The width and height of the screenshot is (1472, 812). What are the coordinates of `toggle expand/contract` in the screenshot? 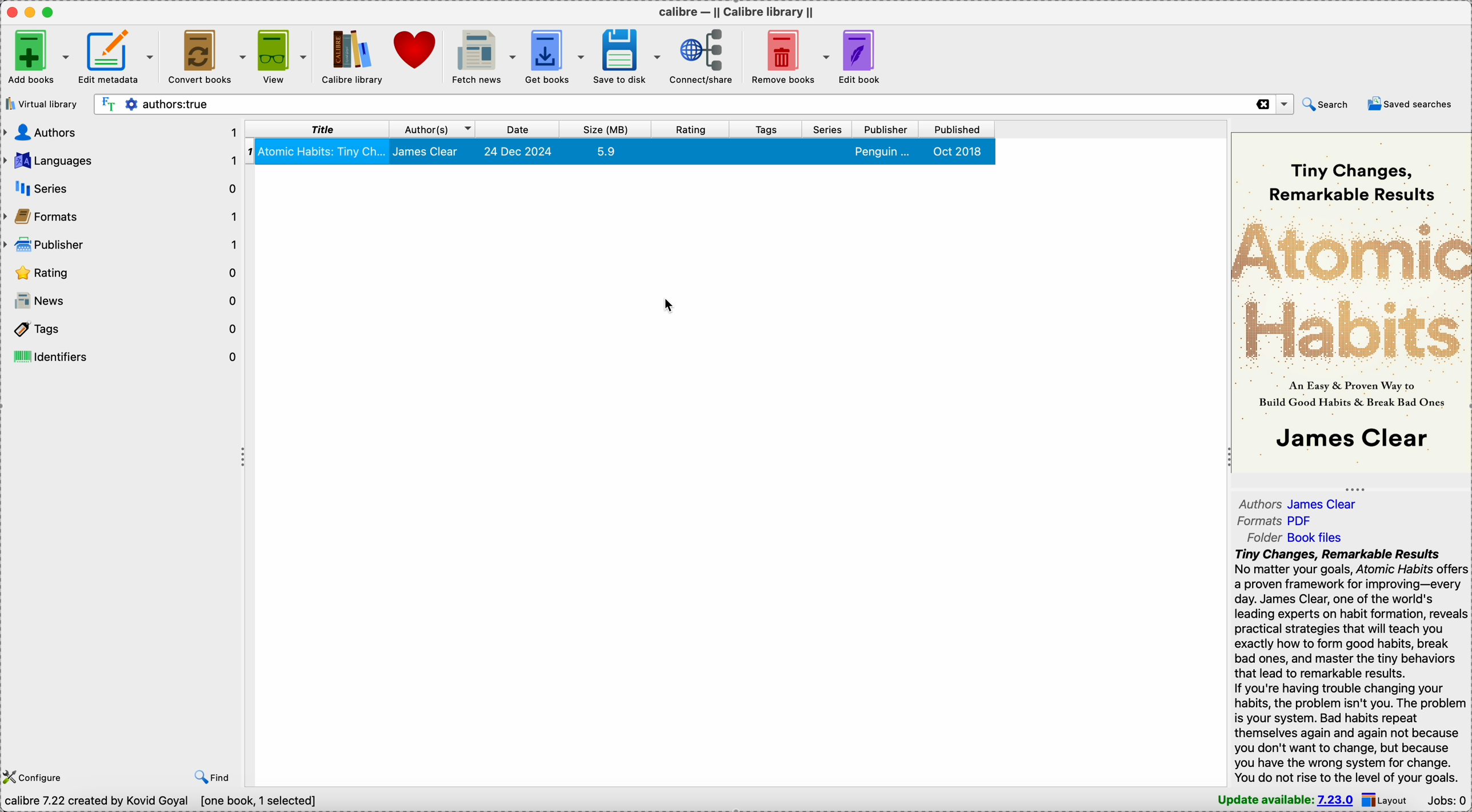 It's located at (1354, 489).